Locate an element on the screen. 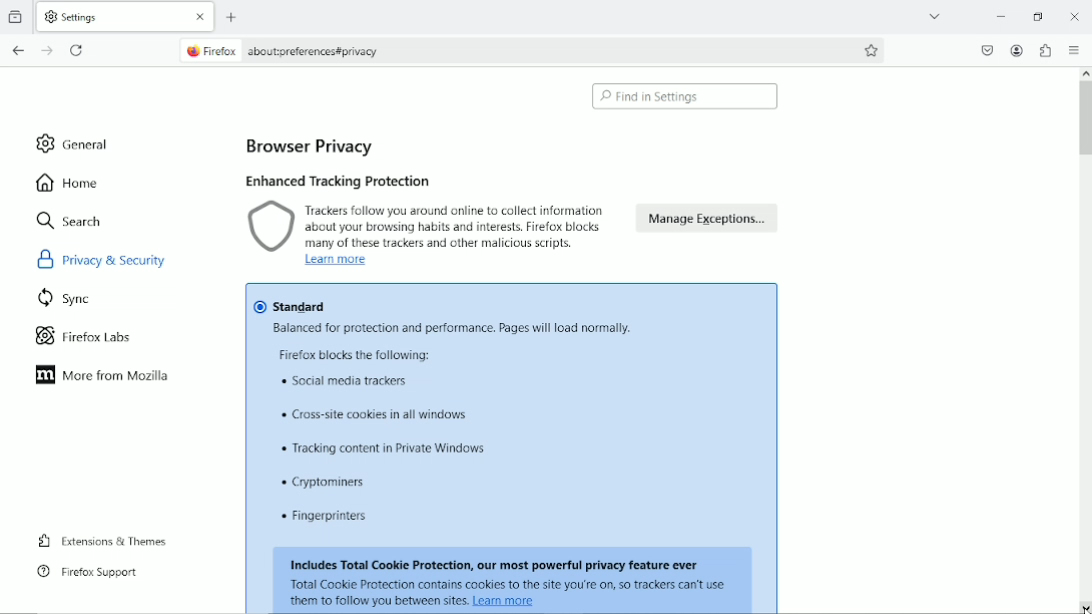 The image size is (1092, 614). find in settings is located at coordinates (685, 97).